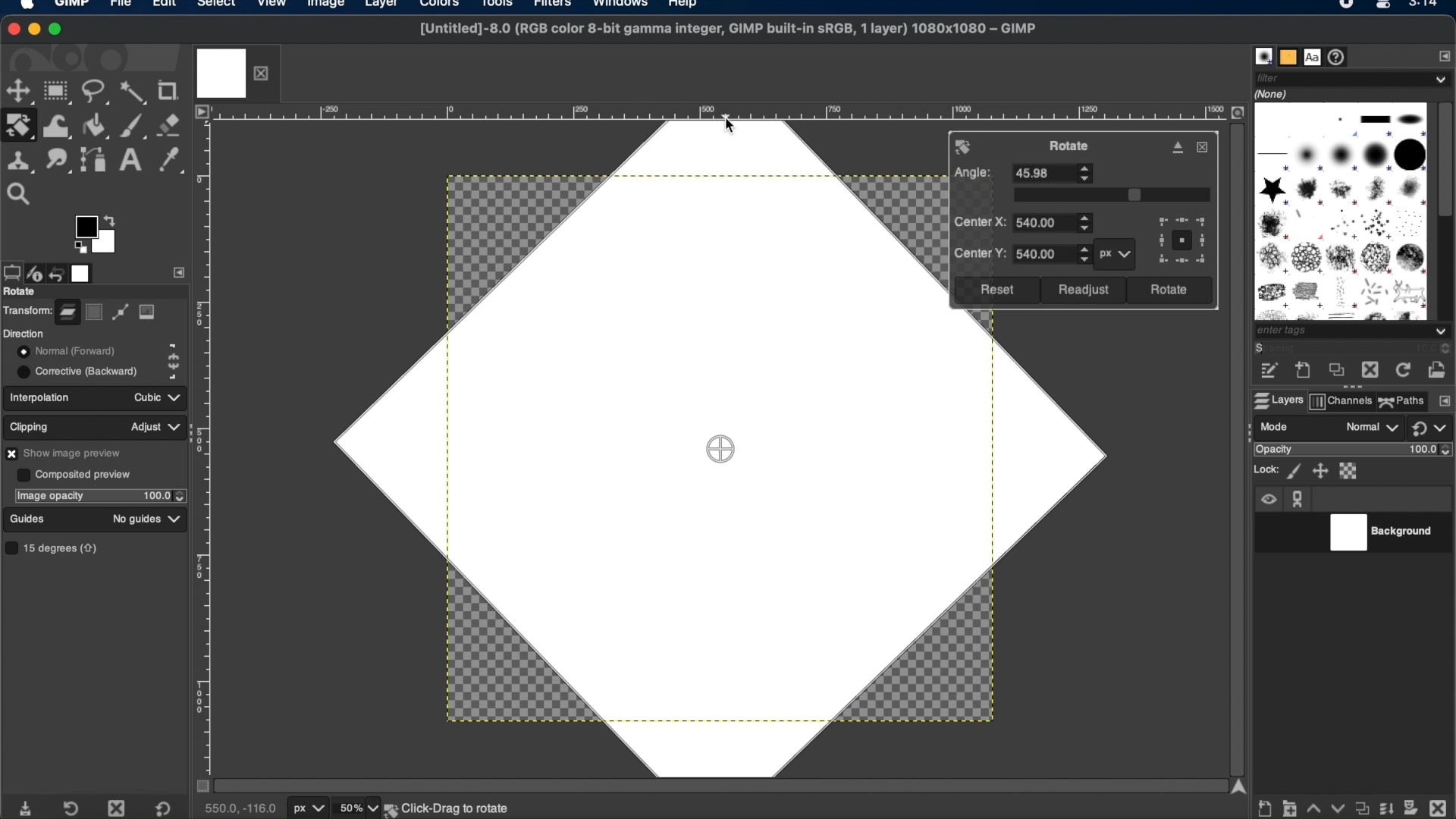  Describe the element at coordinates (136, 519) in the screenshot. I see `no guides` at that location.